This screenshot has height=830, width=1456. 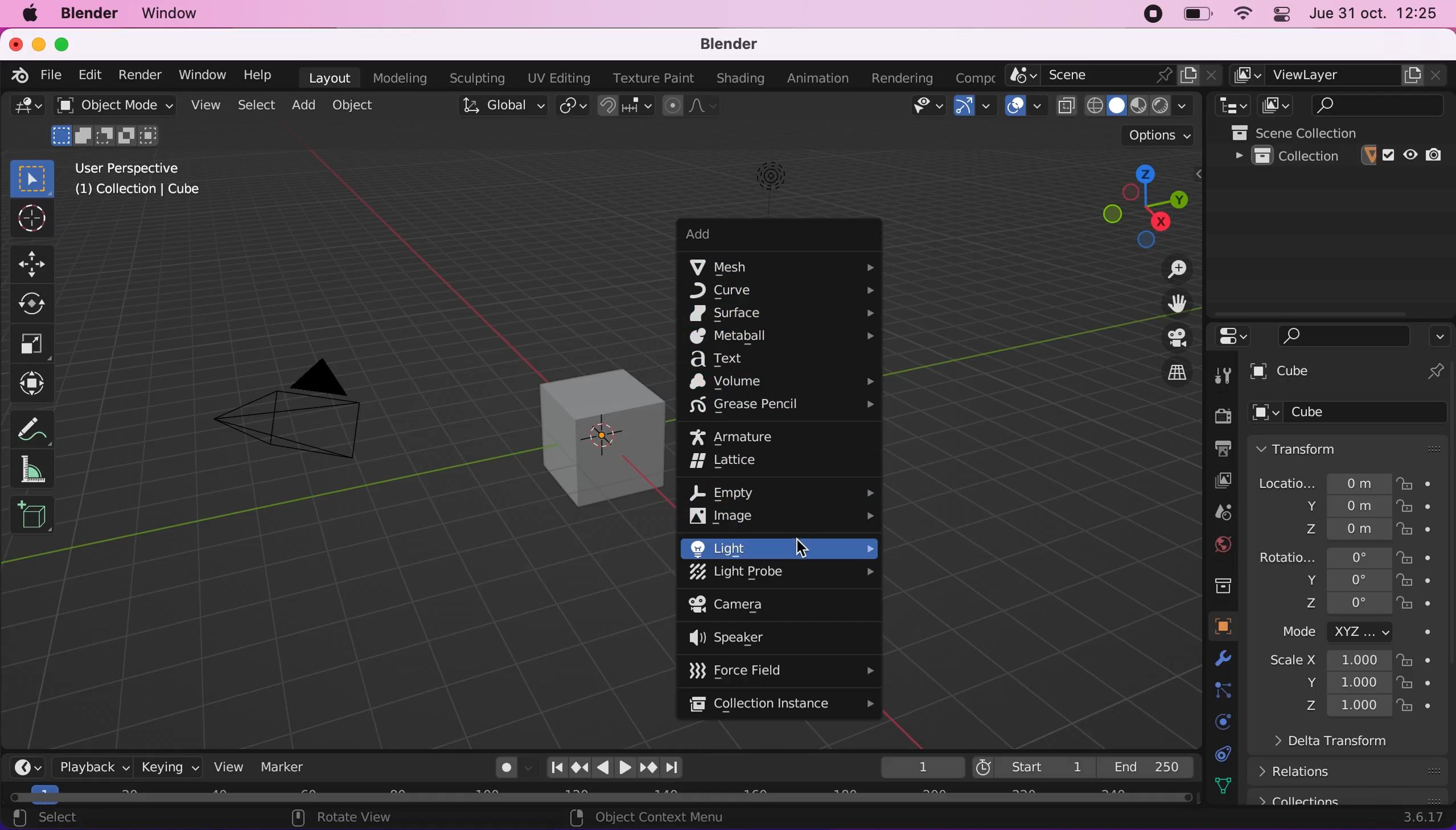 What do you see at coordinates (1218, 722) in the screenshot?
I see `physics` at bounding box center [1218, 722].